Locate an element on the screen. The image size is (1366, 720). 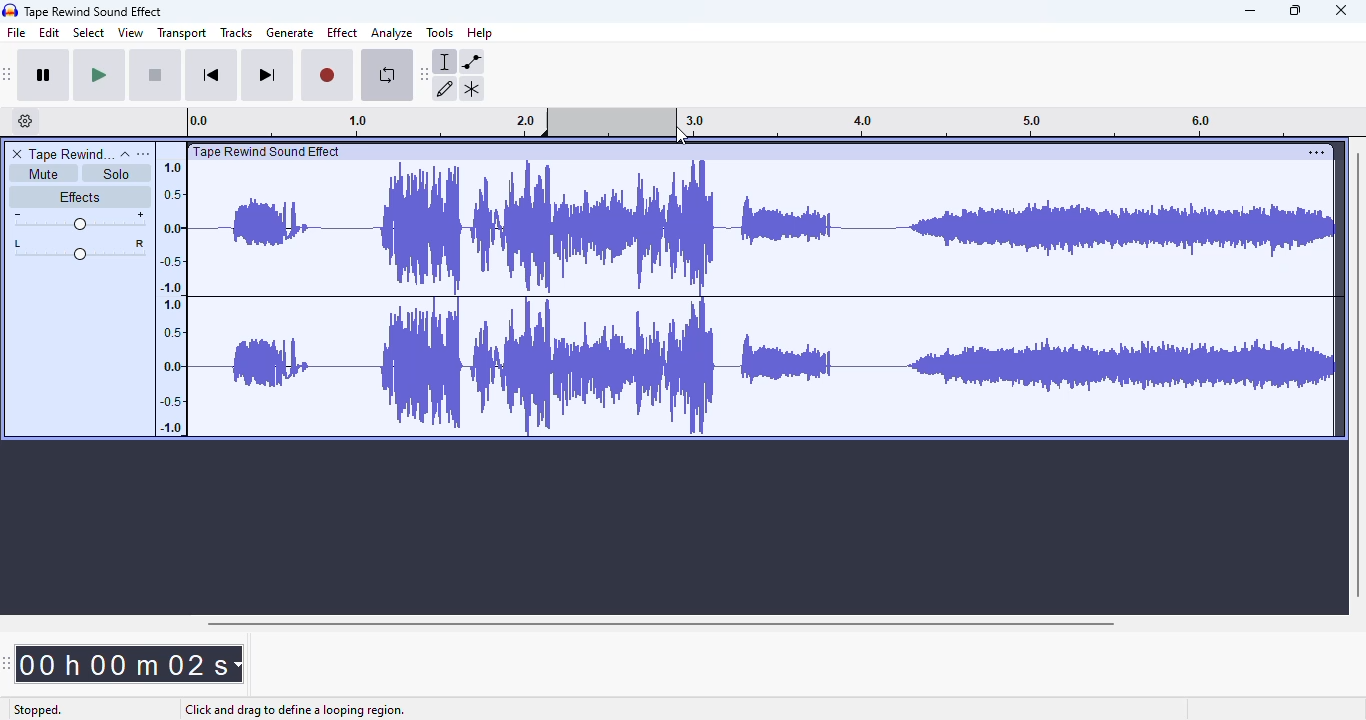
pan is located at coordinates (78, 251).